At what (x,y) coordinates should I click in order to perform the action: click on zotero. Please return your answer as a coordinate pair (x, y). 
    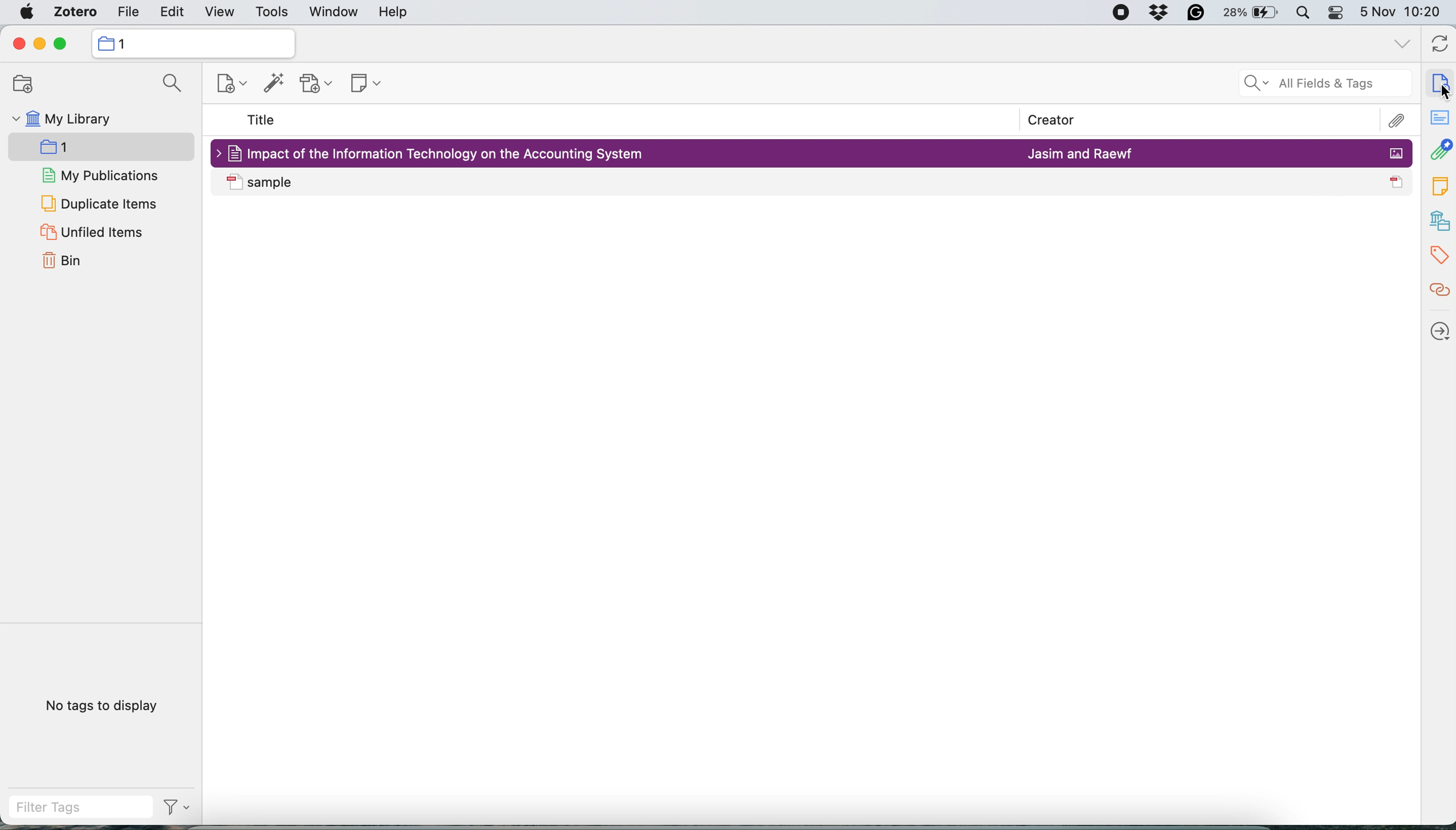
    Looking at the image, I should click on (72, 13).